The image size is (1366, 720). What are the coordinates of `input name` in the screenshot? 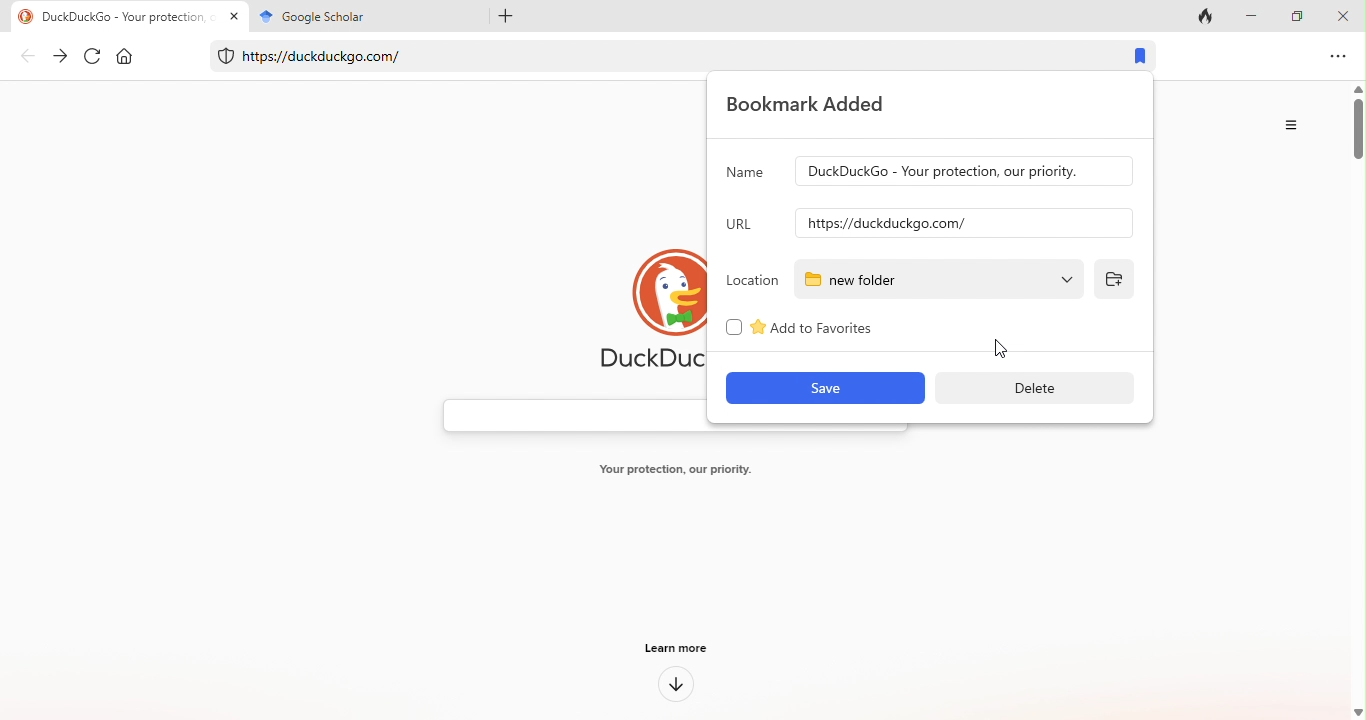 It's located at (960, 172).